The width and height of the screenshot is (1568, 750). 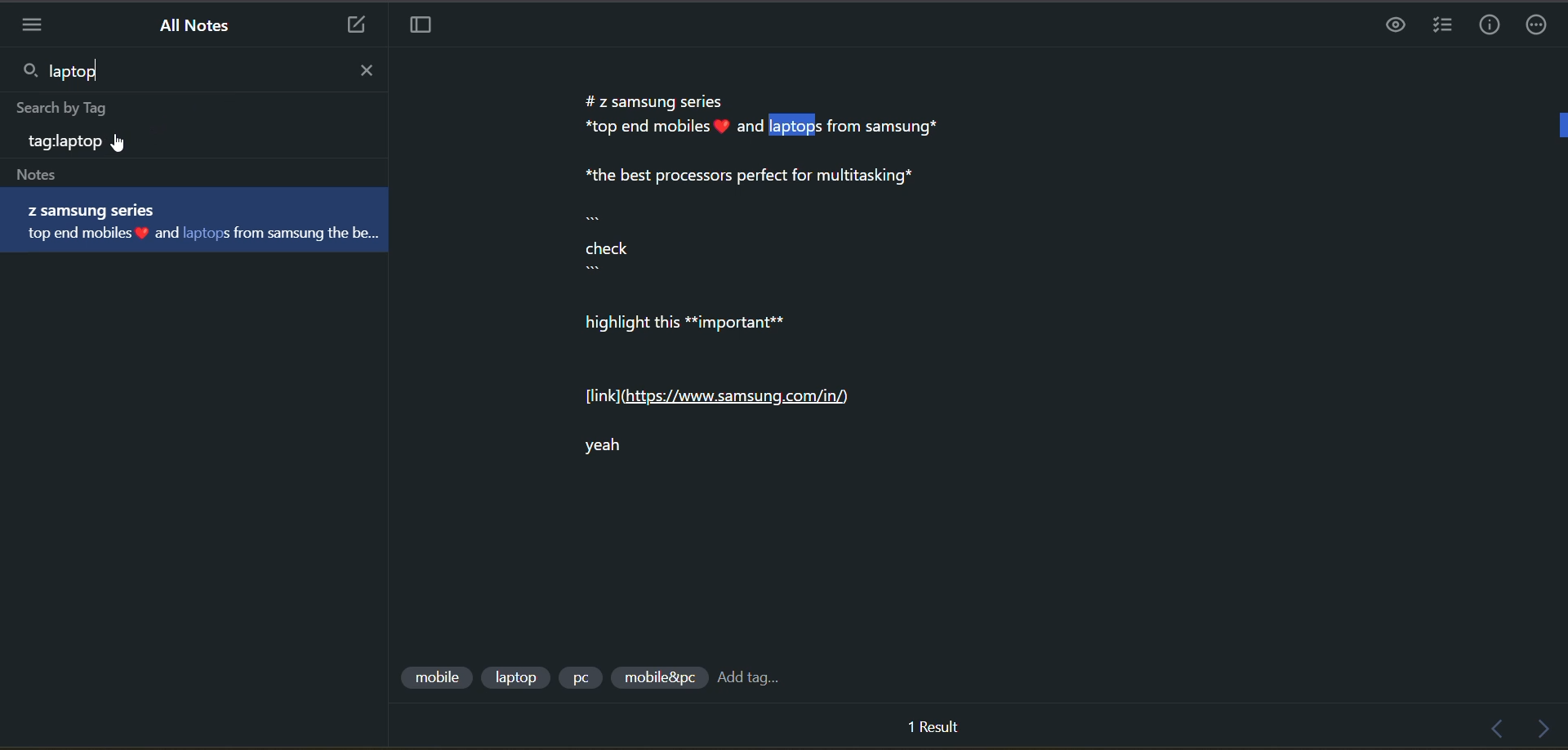 What do you see at coordinates (1503, 730) in the screenshot?
I see `previous` at bounding box center [1503, 730].